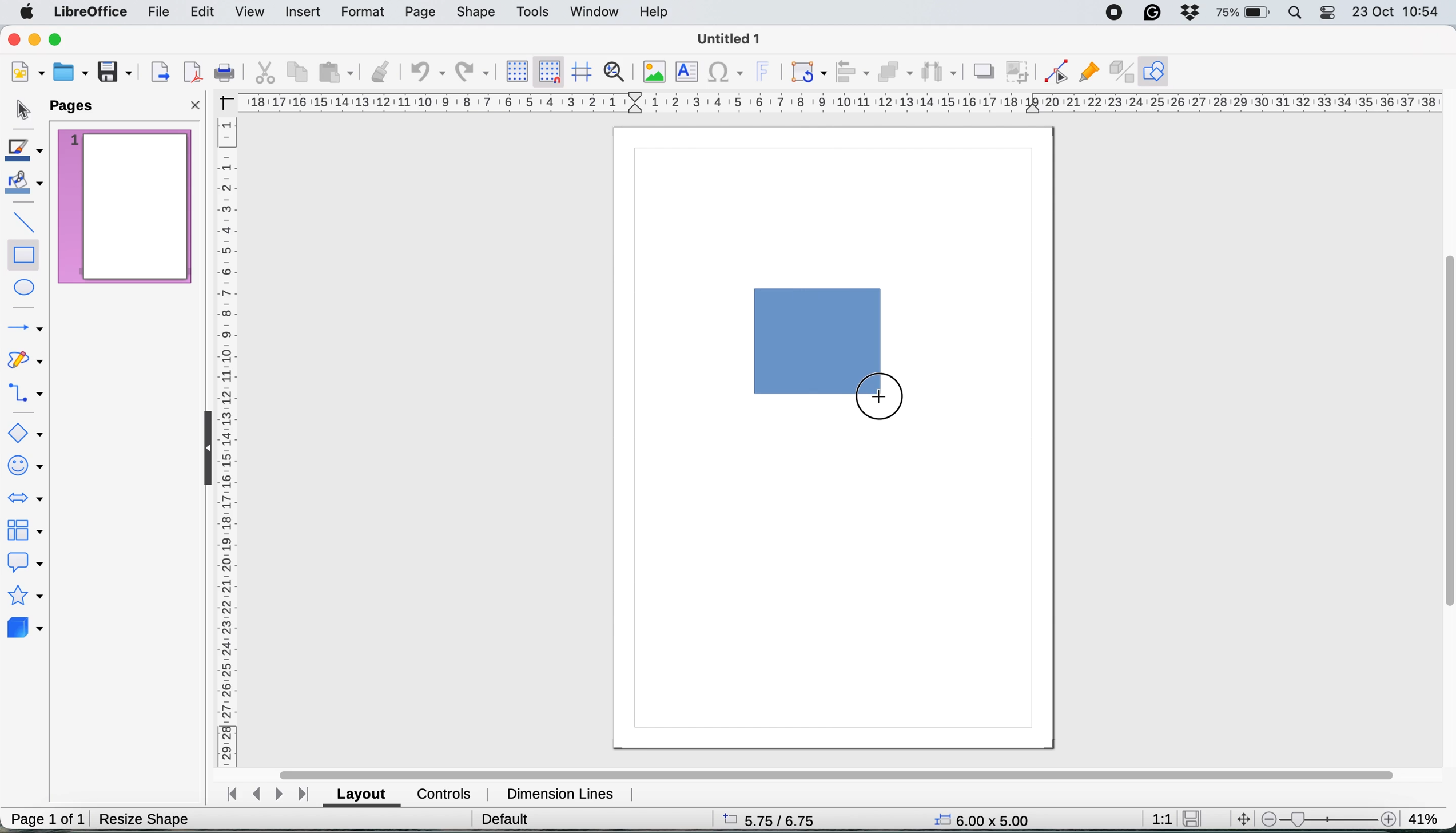 This screenshot has height=833, width=1456. I want to click on 3d objects, so click(26, 630).